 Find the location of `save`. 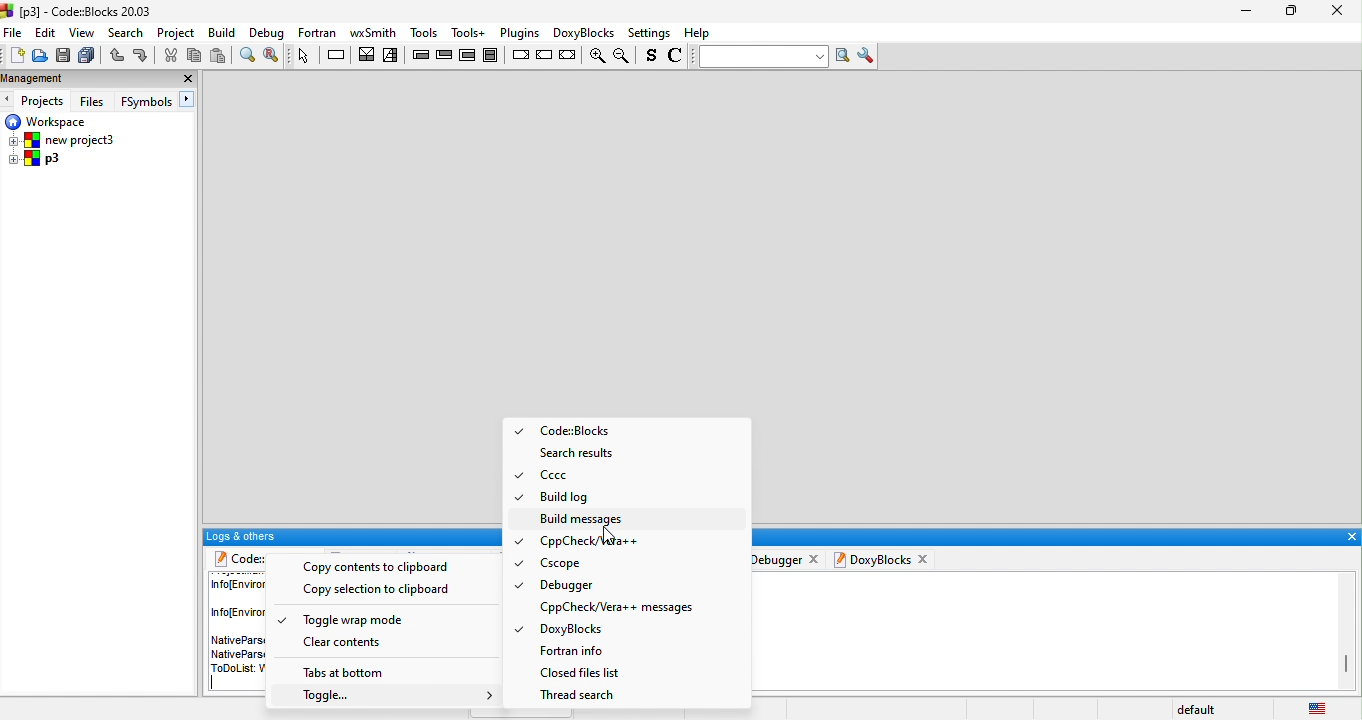

save is located at coordinates (62, 56).